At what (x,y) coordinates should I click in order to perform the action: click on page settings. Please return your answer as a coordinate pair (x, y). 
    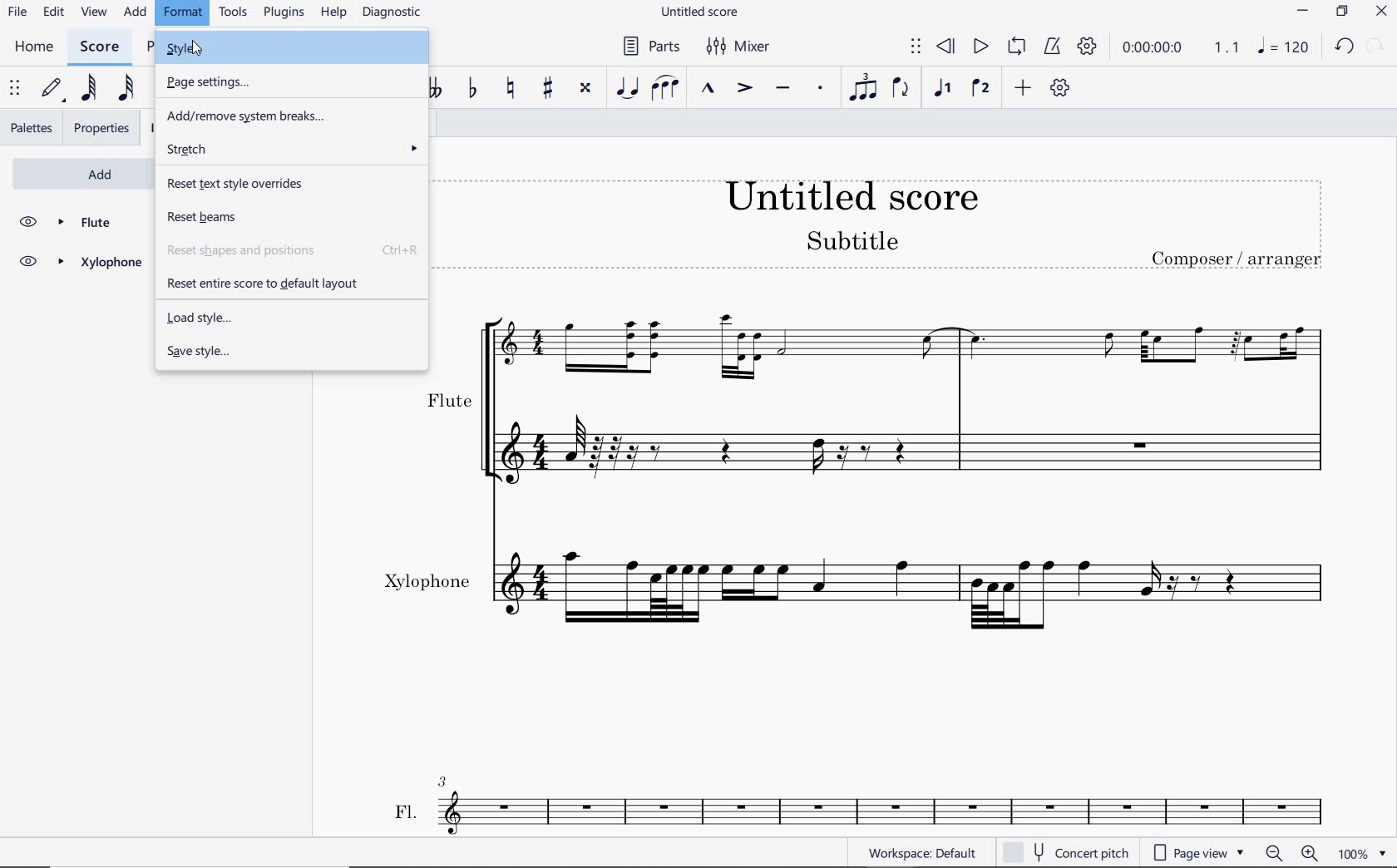
    Looking at the image, I should click on (211, 81).